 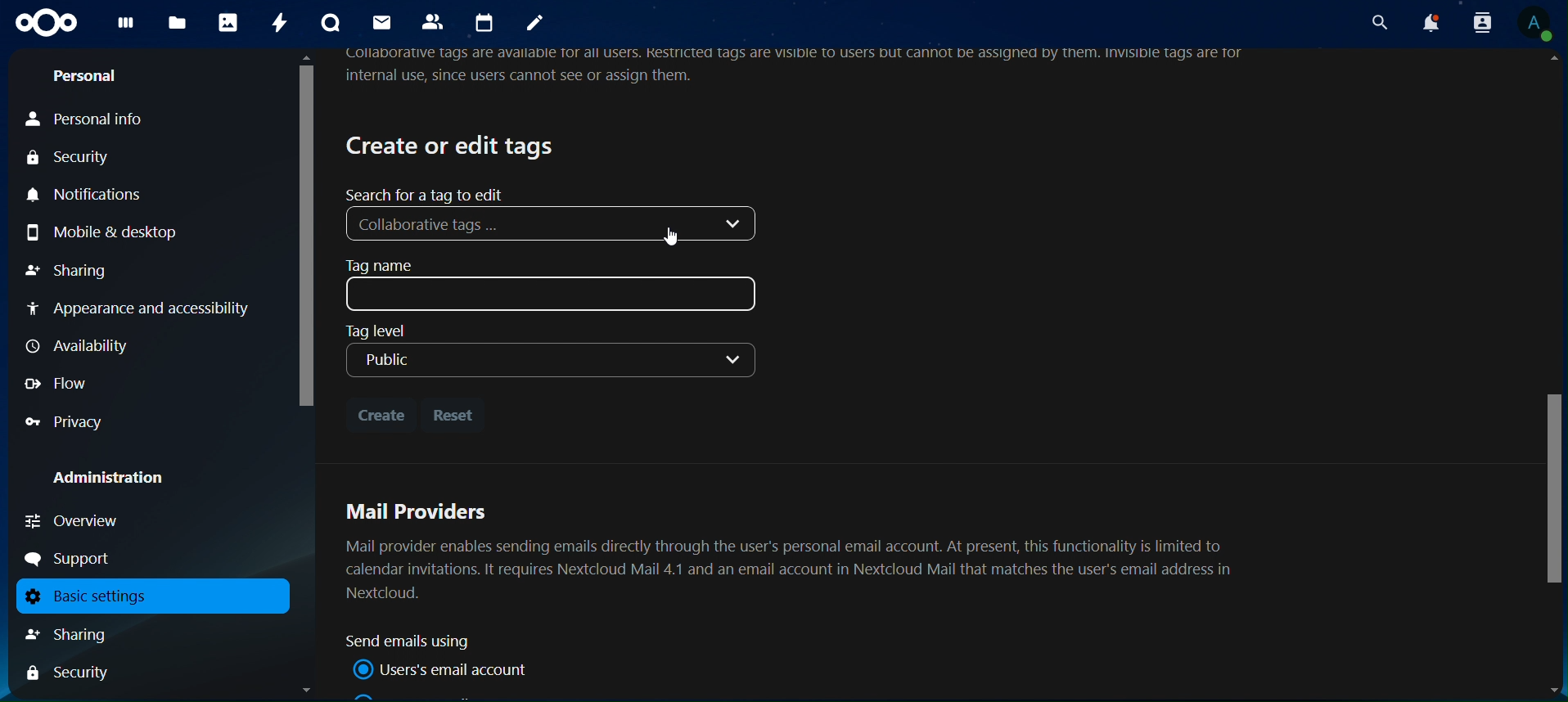 I want to click on overview, so click(x=74, y=520).